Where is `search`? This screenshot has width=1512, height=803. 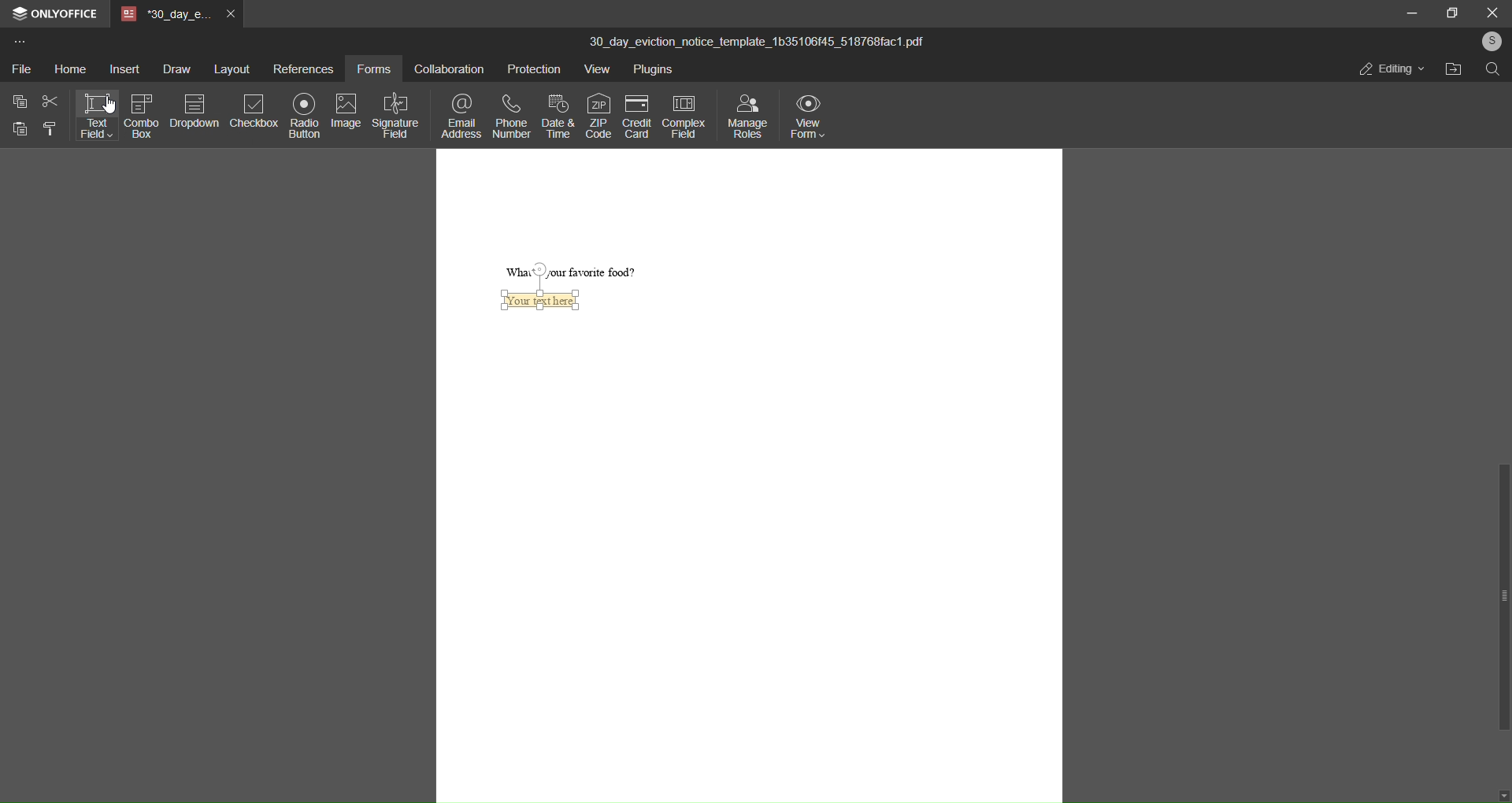 search is located at coordinates (1493, 70).